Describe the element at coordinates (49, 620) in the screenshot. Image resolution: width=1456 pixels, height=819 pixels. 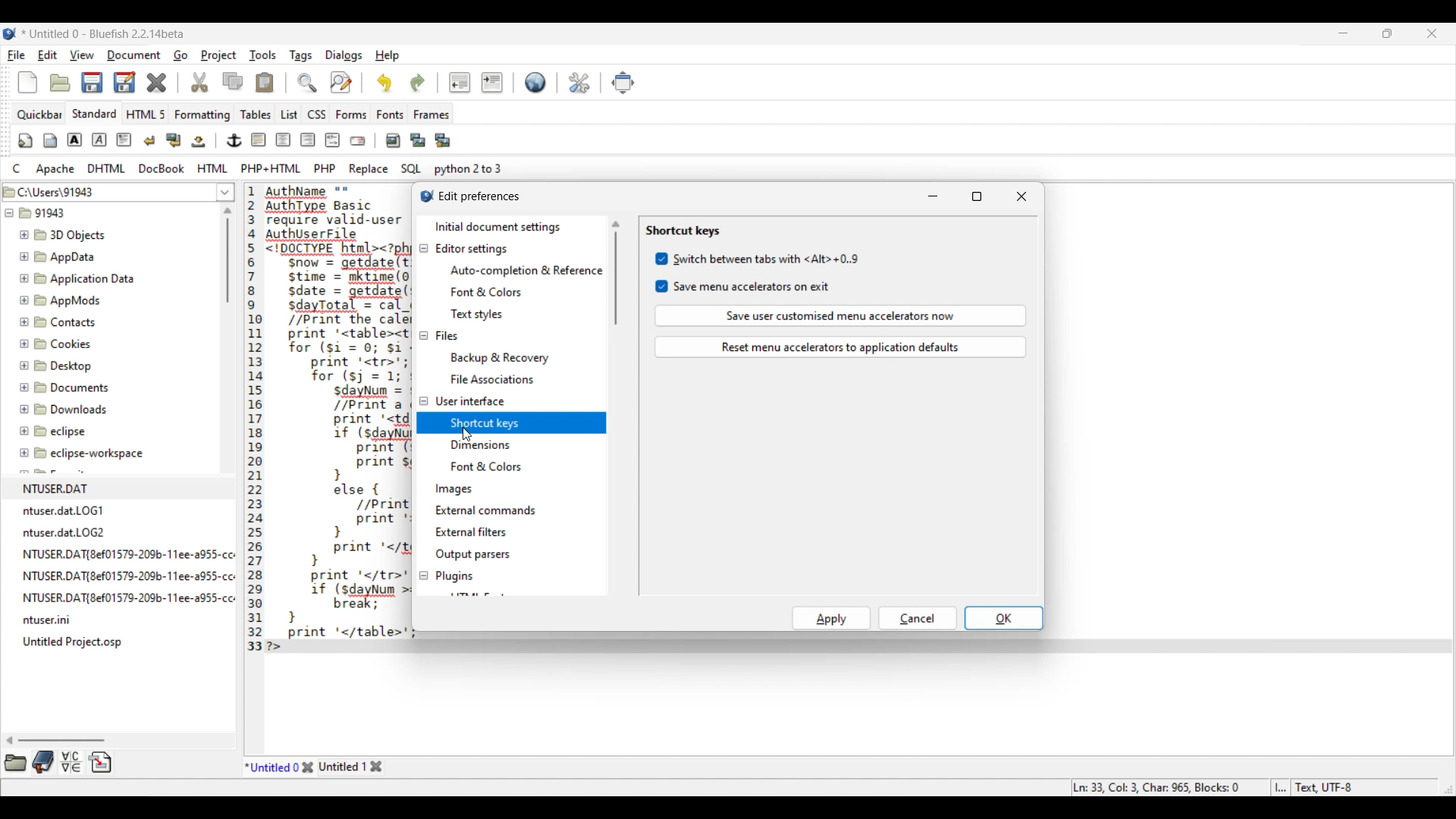
I see `ntuser.ini` at that location.